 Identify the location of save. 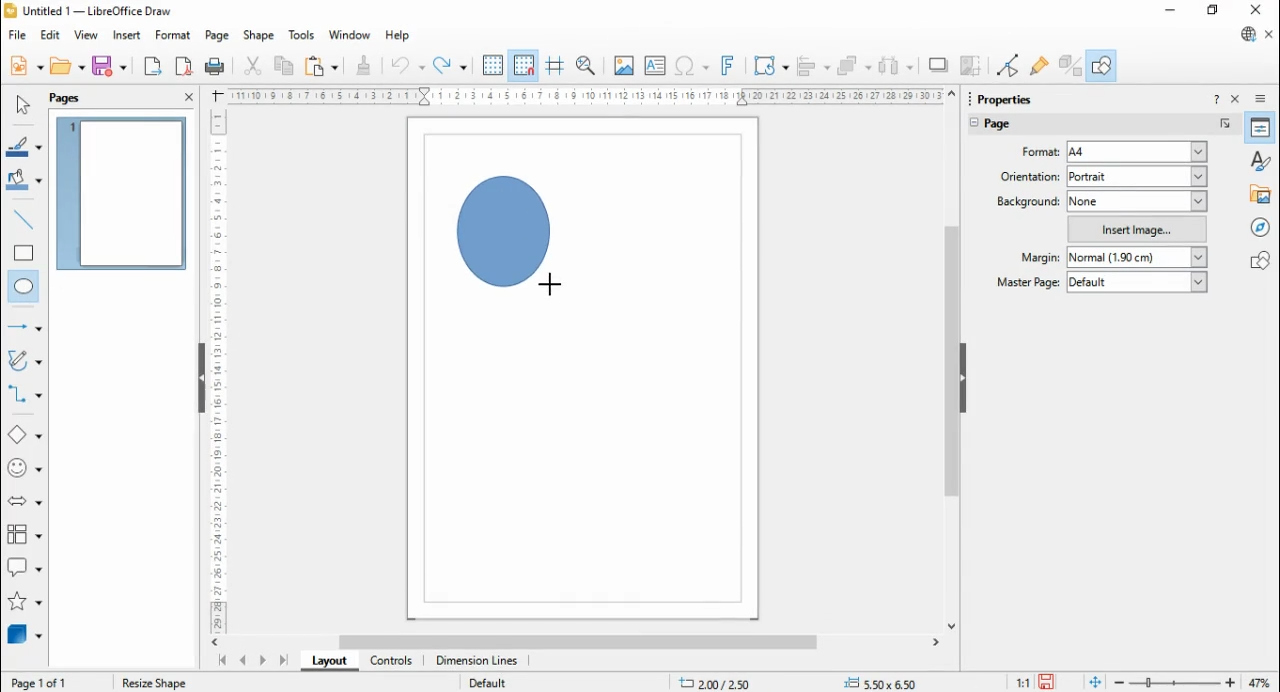
(109, 66).